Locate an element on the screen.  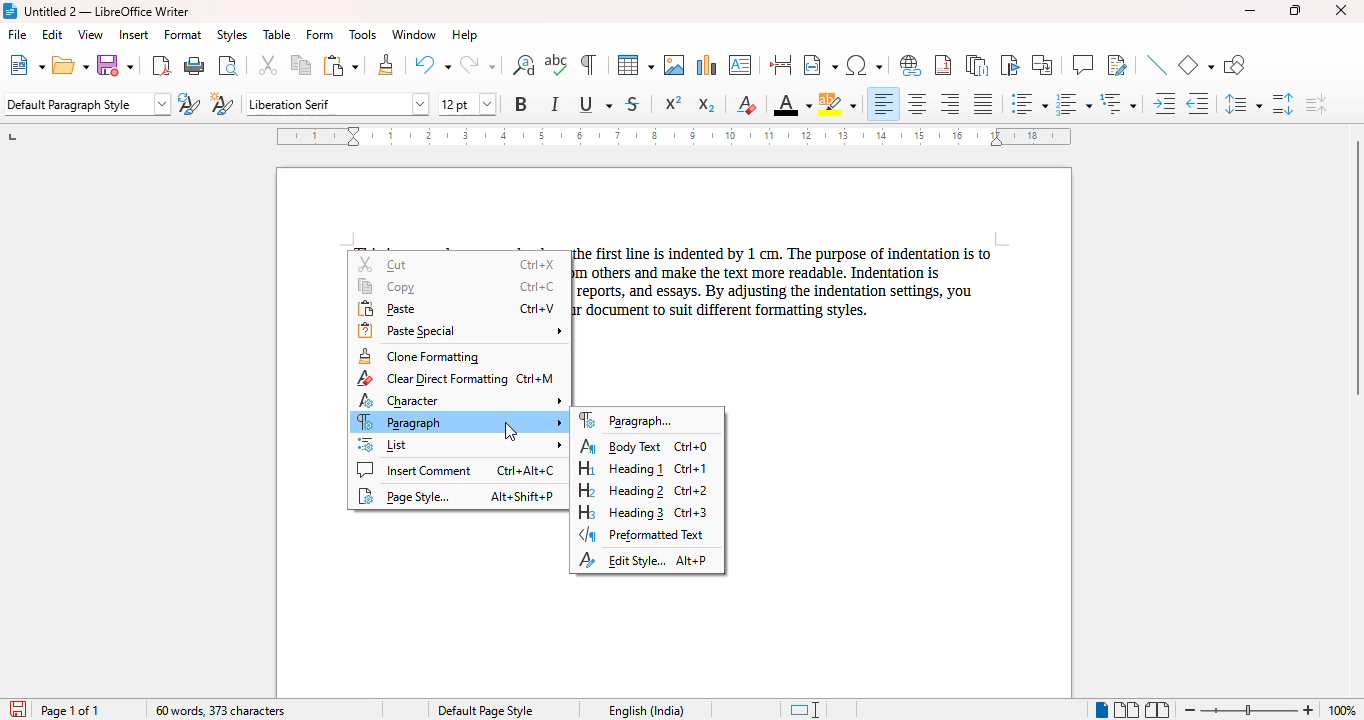
clone formatting is located at coordinates (419, 356).